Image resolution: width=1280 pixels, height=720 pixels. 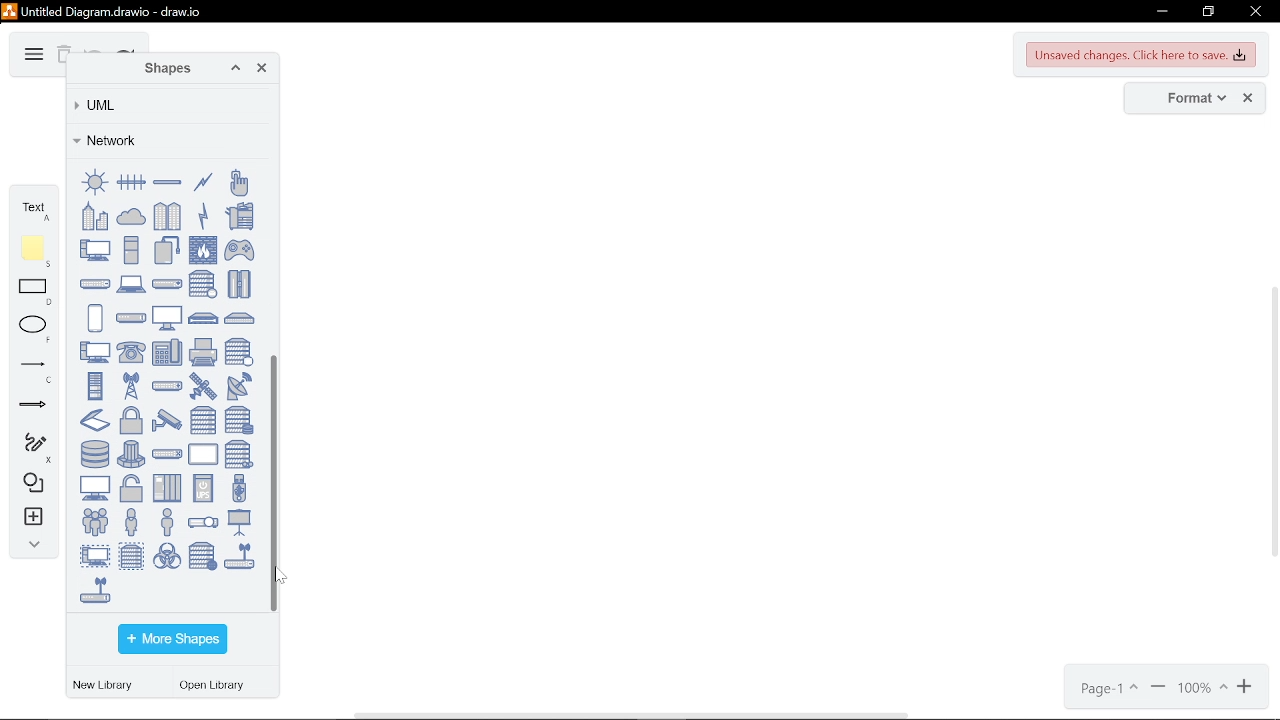 What do you see at coordinates (63, 56) in the screenshot?
I see `delete` at bounding box center [63, 56].